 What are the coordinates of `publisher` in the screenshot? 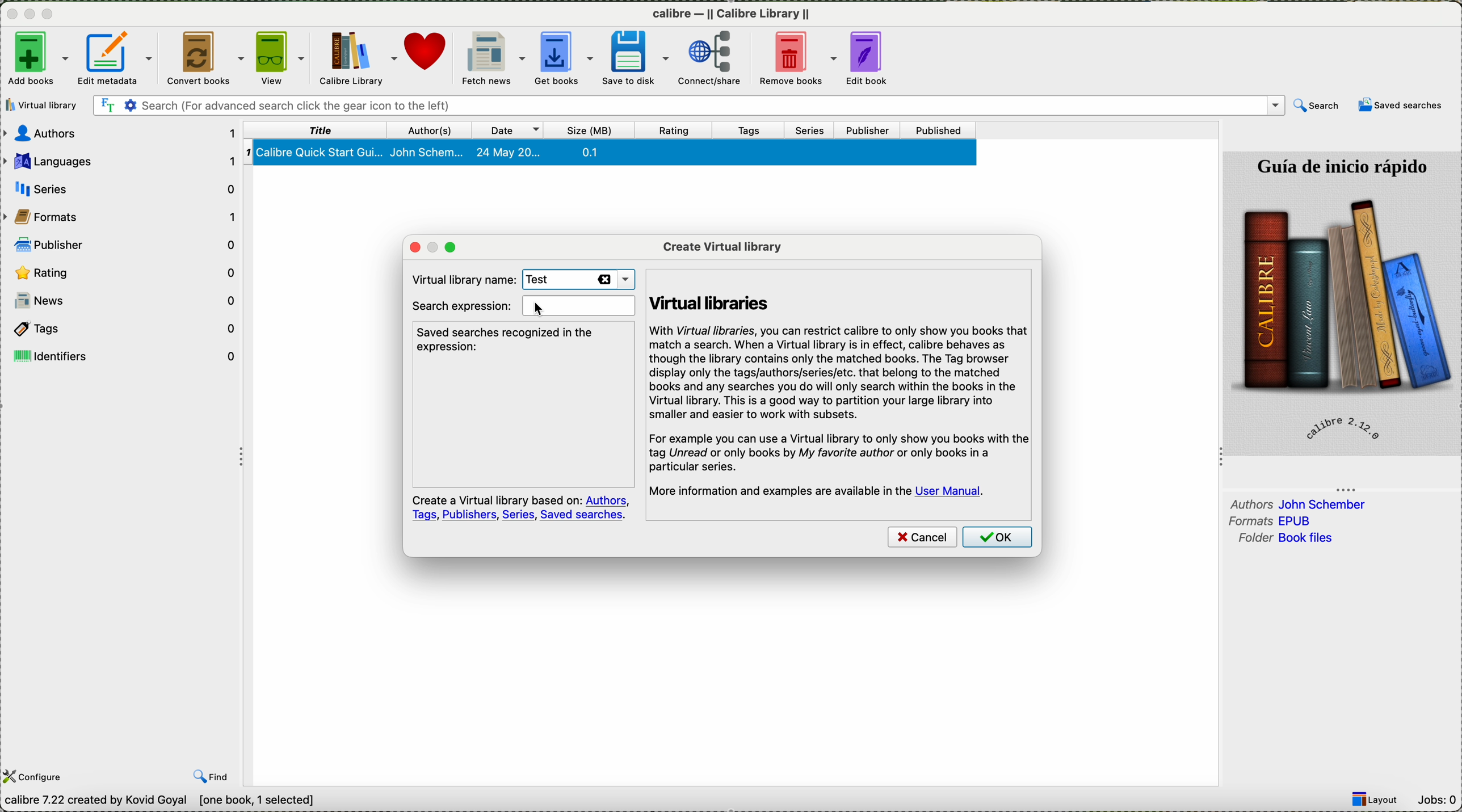 It's located at (870, 129).